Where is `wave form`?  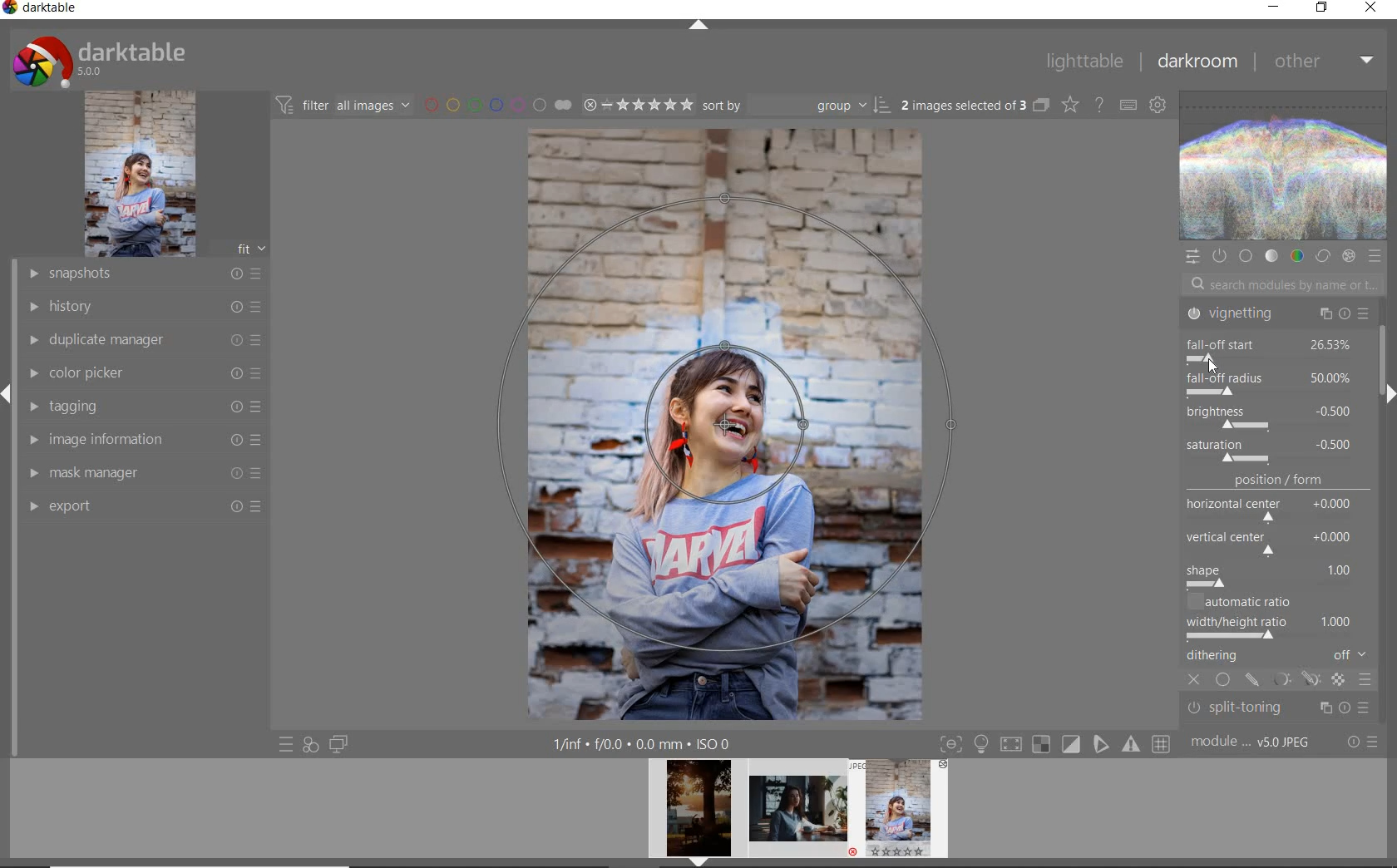
wave form is located at coordinates (1285, 167).